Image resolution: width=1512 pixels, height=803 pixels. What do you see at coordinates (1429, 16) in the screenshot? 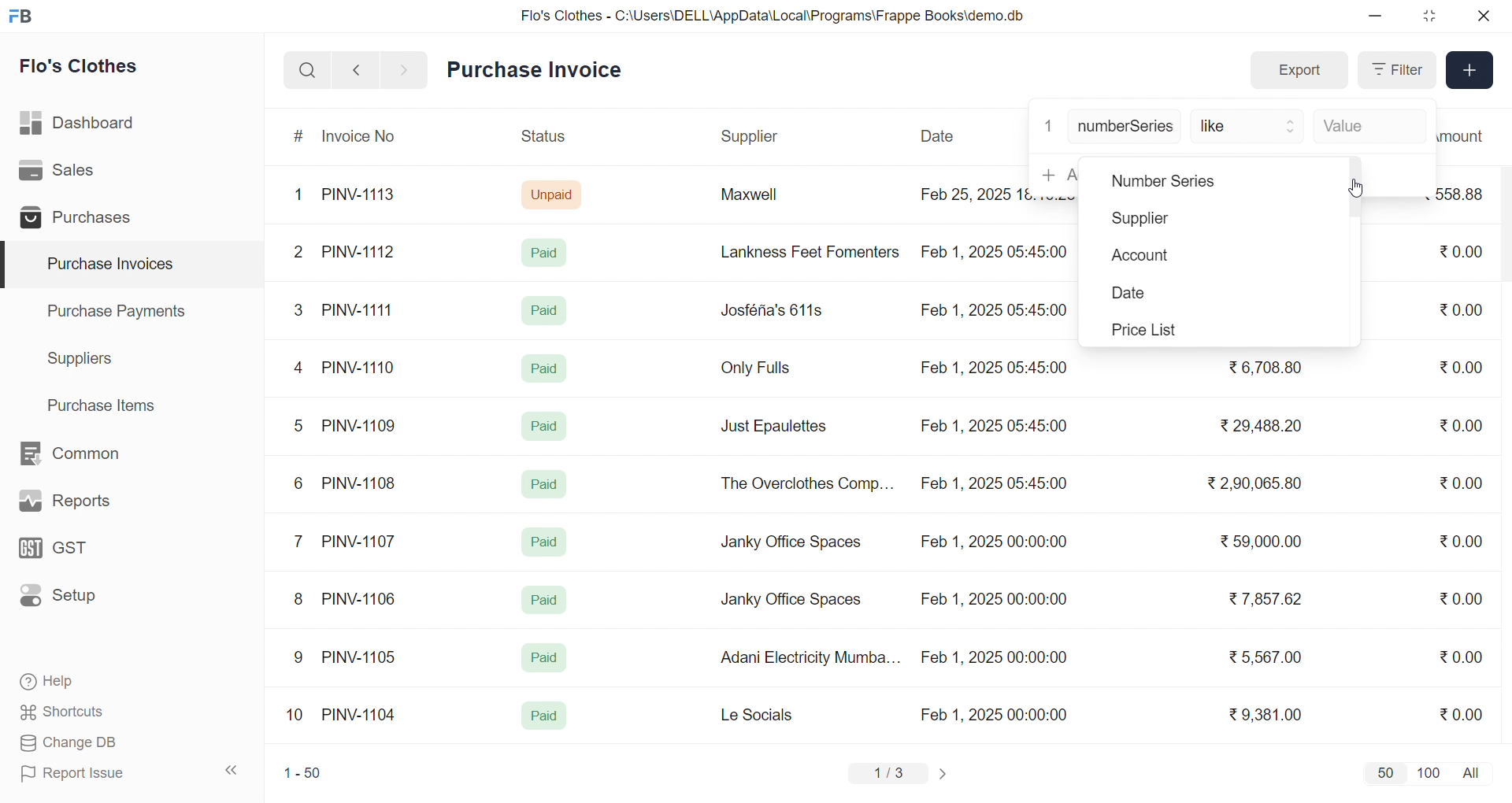
I see `resize` at bounding box center [1429, 16].